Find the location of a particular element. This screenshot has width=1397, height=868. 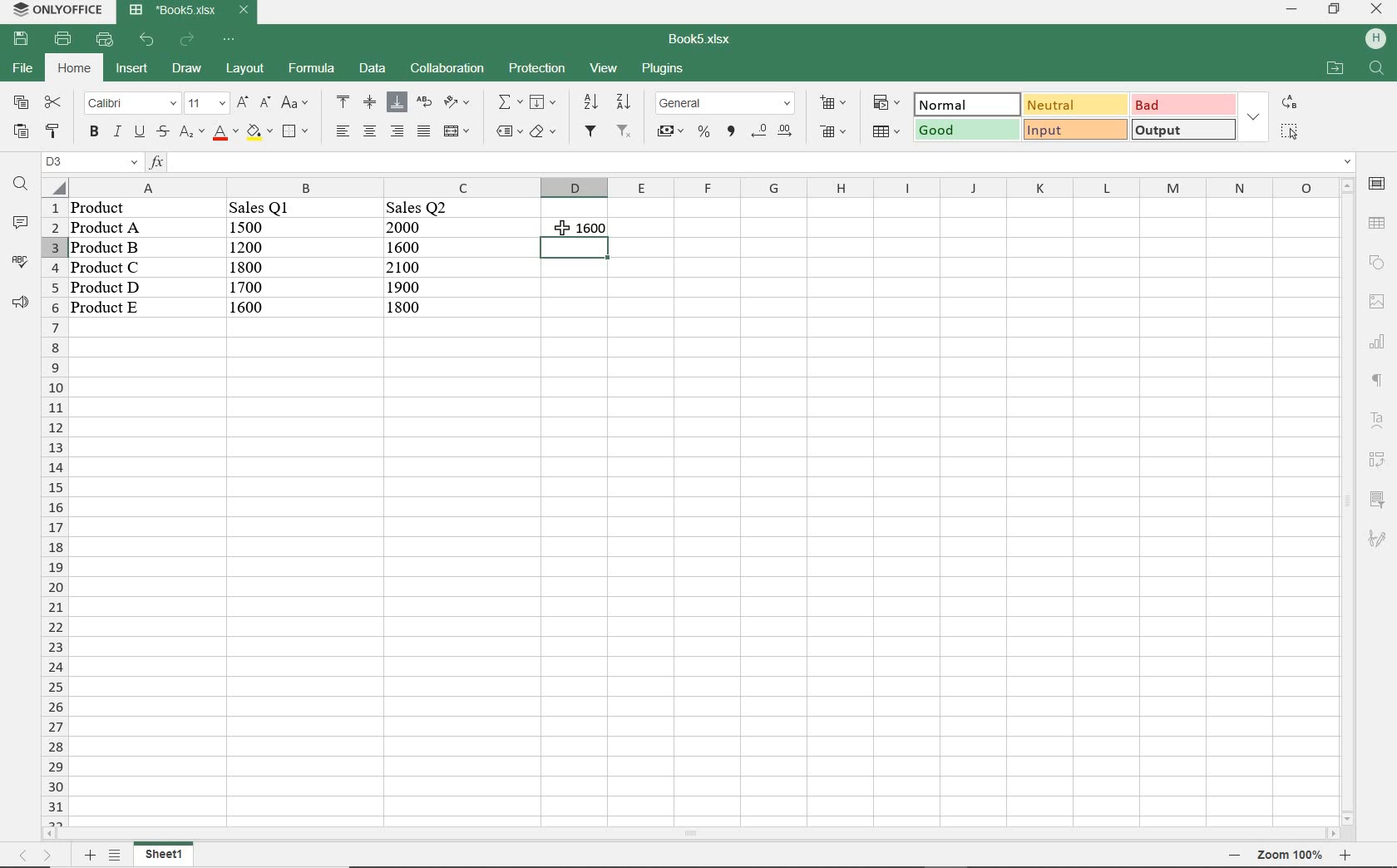

formula is located at coordinates (312, 68).